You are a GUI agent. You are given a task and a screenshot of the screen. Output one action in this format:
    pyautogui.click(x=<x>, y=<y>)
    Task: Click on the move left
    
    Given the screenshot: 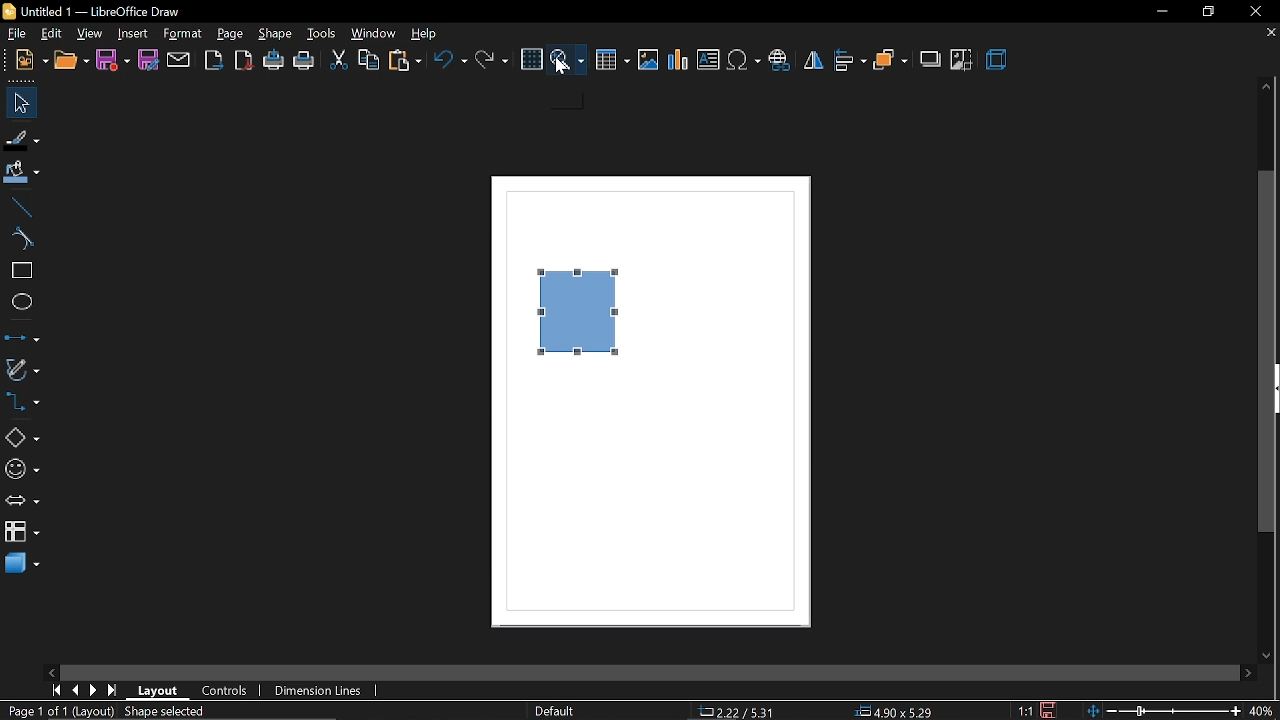 What is the action you would take?
    pyautogui.click(x=51, y=672)
    